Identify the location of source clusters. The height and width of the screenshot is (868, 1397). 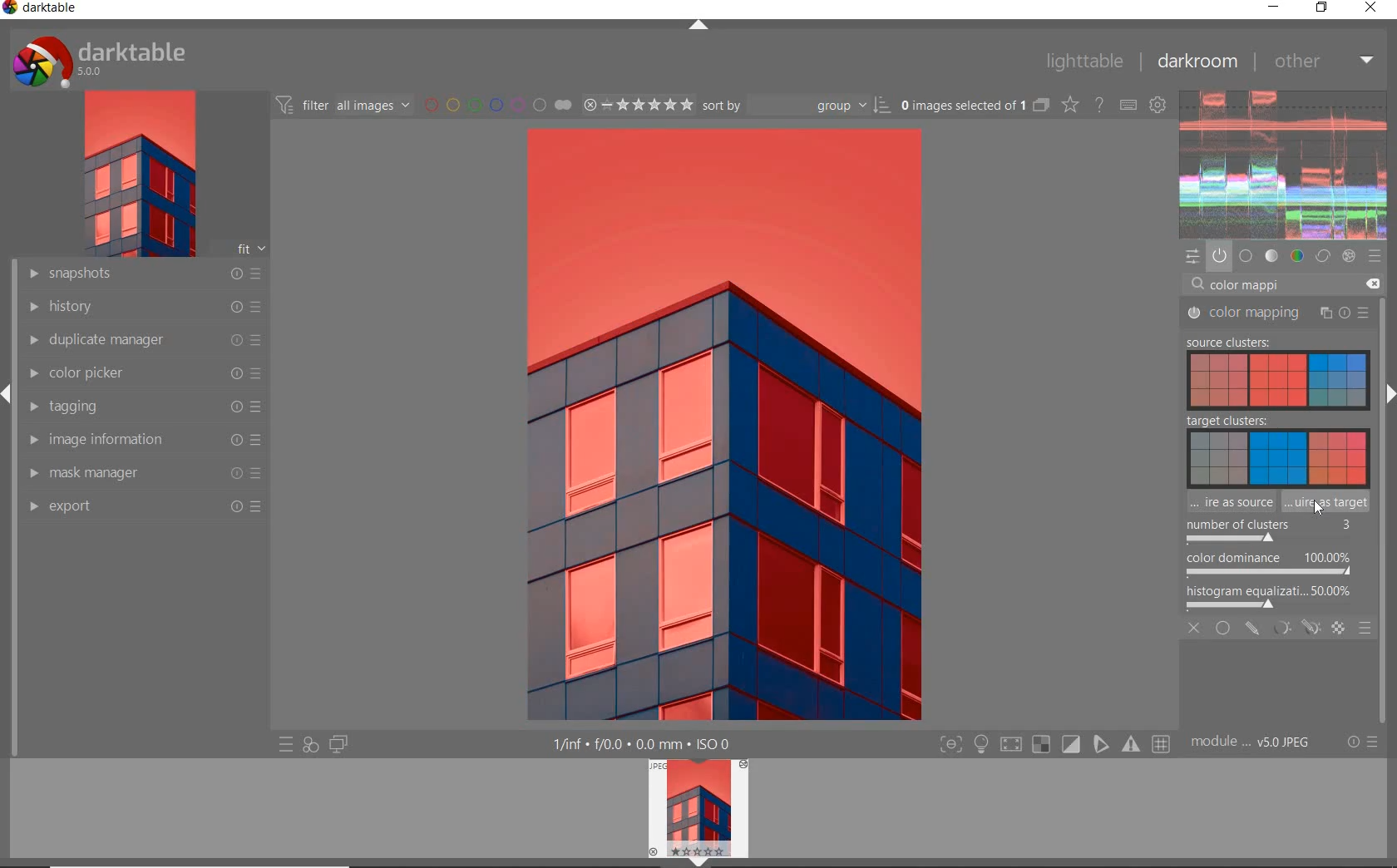
(1225, 343).